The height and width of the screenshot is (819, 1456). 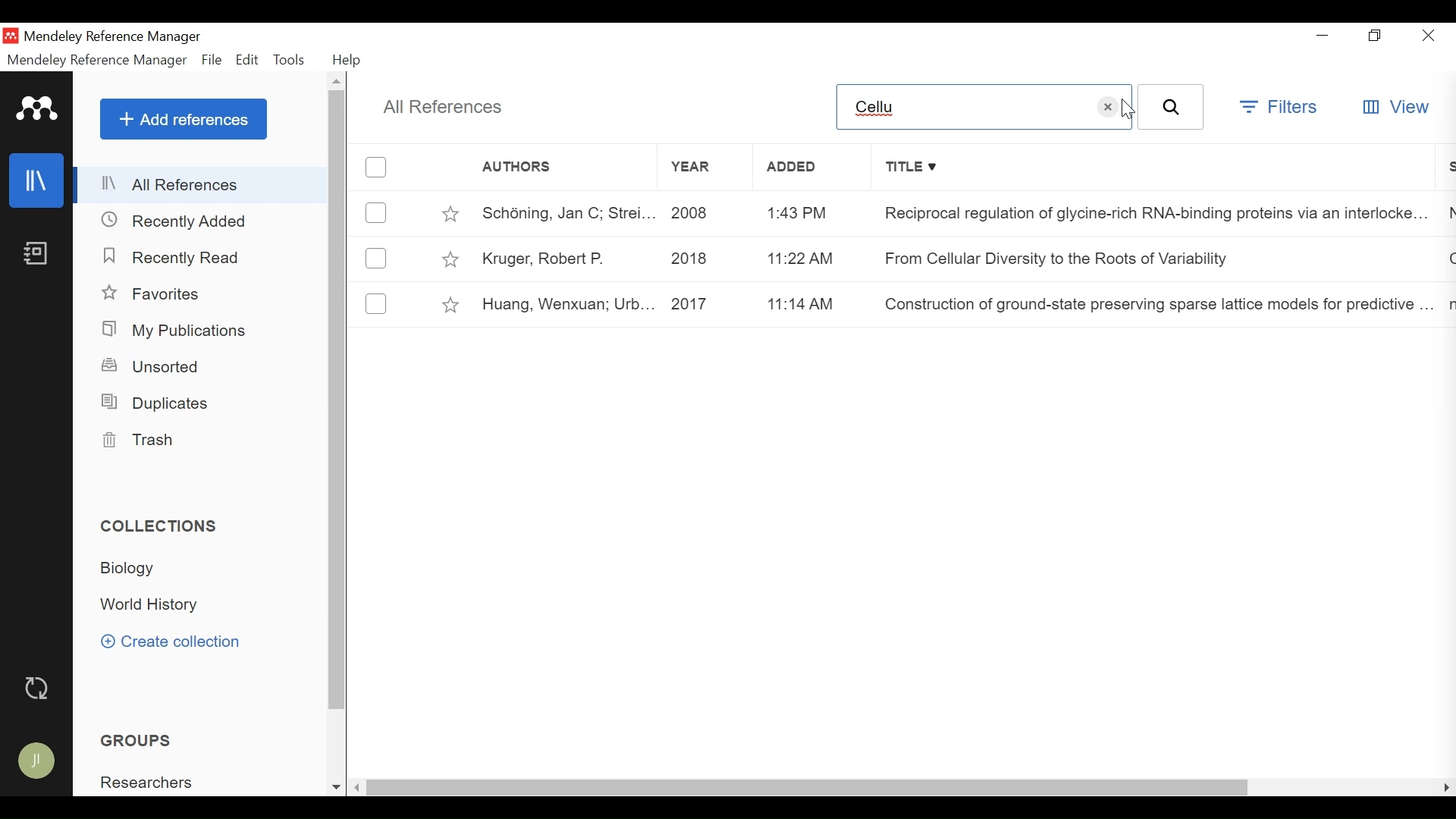 What do you see at coordinates (376, 259) in the screenshot?
I see `(un)select` at bounding box center [376, 259].